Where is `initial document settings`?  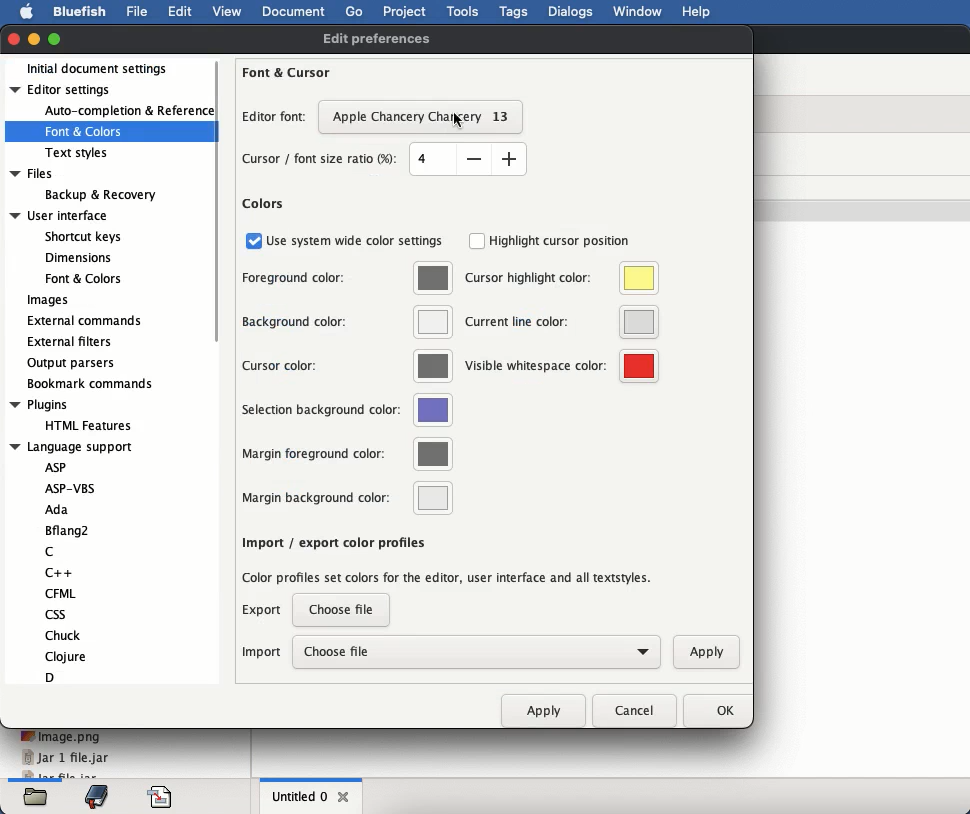
initial document settings is located at coordinates (104, 68).